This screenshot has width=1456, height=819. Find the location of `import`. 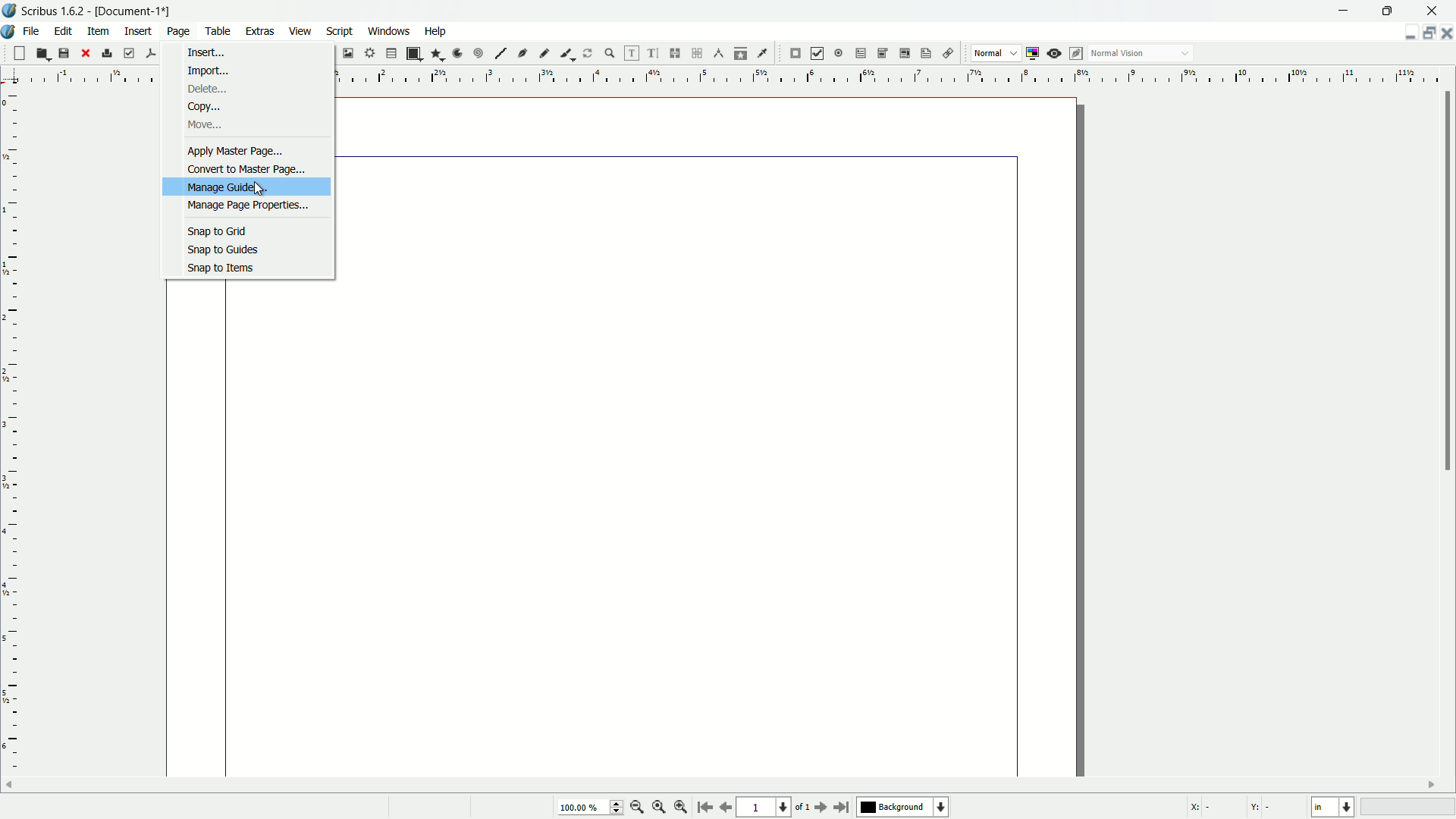

import is located at coordinates (206, 71).